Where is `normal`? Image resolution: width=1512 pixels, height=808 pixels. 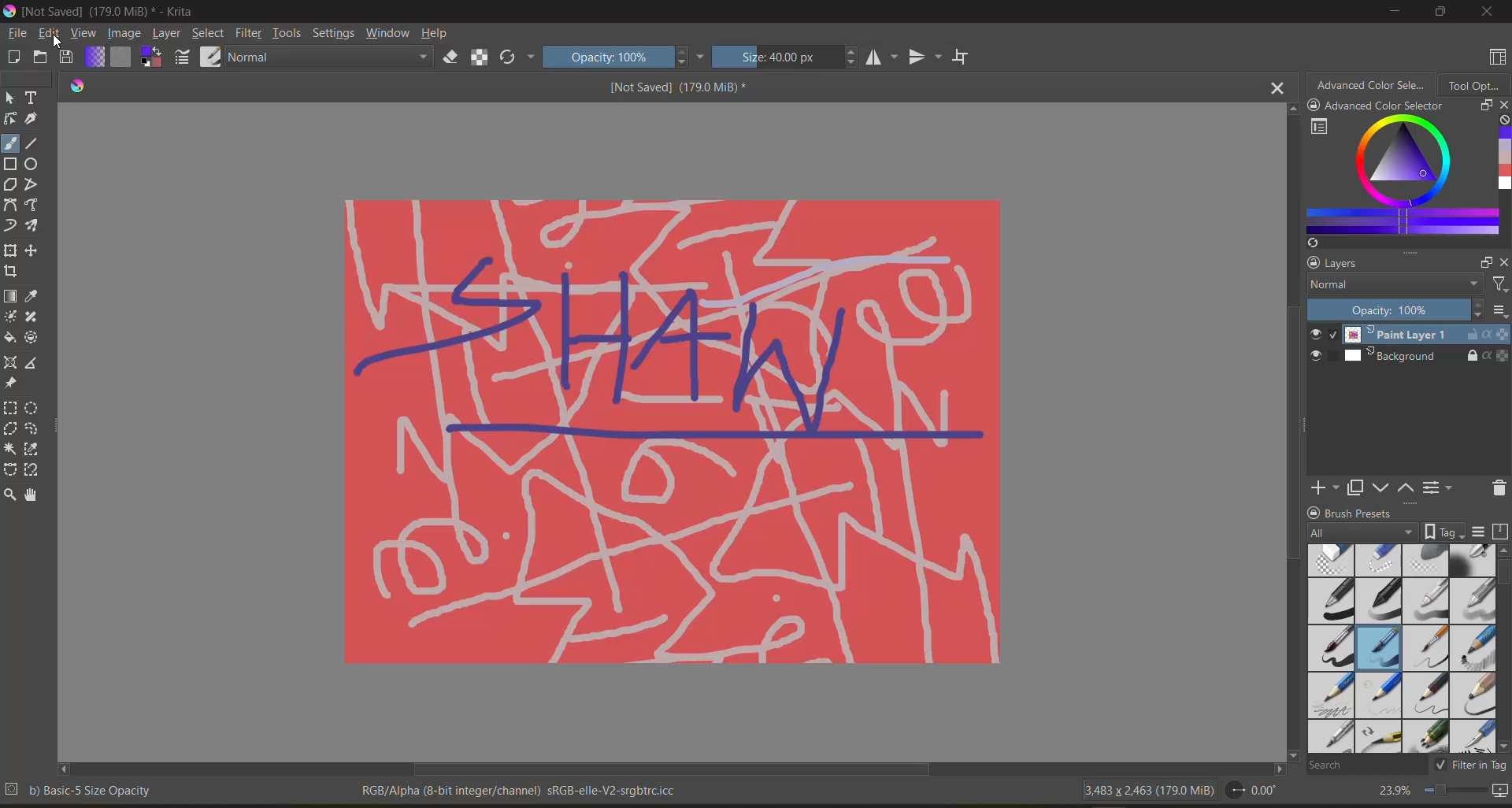
normal is located at coordinates (1392, 286).